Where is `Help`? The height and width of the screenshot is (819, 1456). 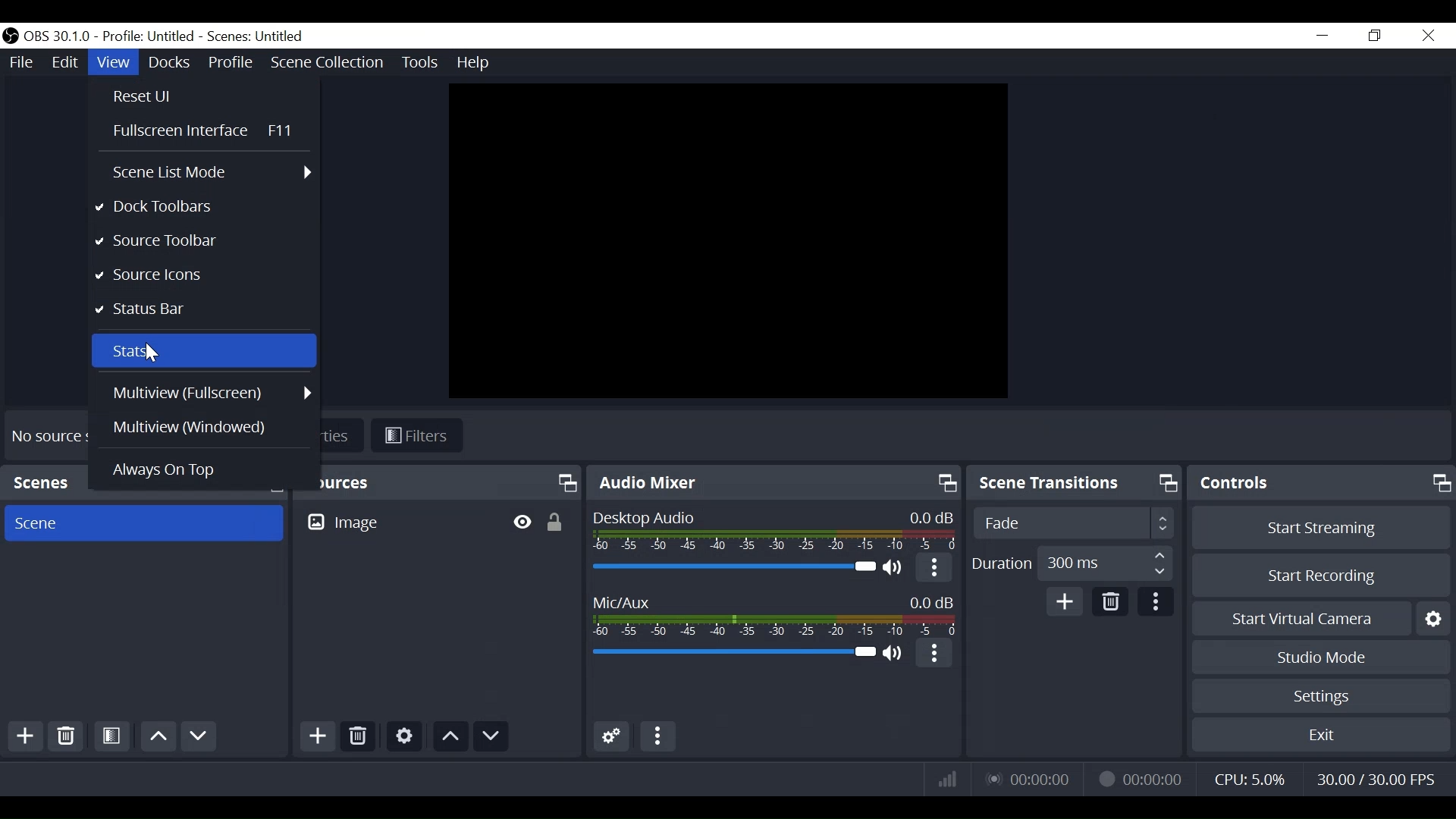
Help is located at coordinates (477, 61).